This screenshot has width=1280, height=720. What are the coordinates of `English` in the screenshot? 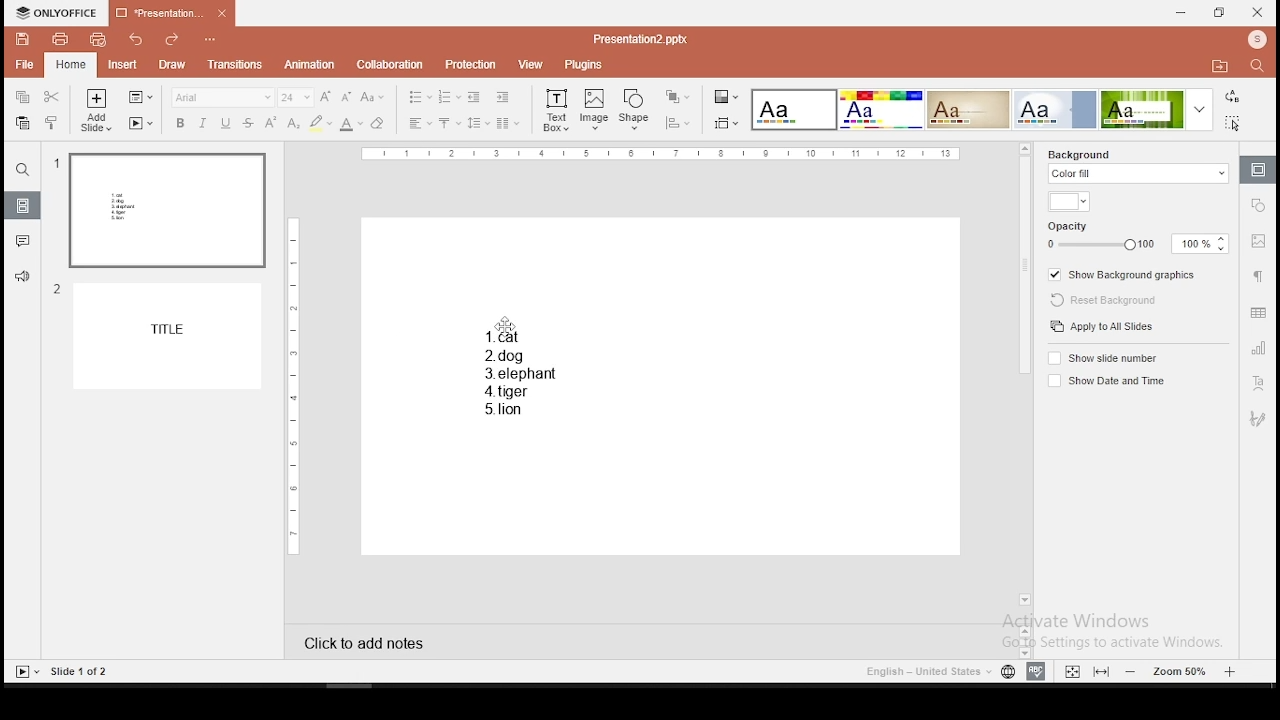 It's located at (920, 671).